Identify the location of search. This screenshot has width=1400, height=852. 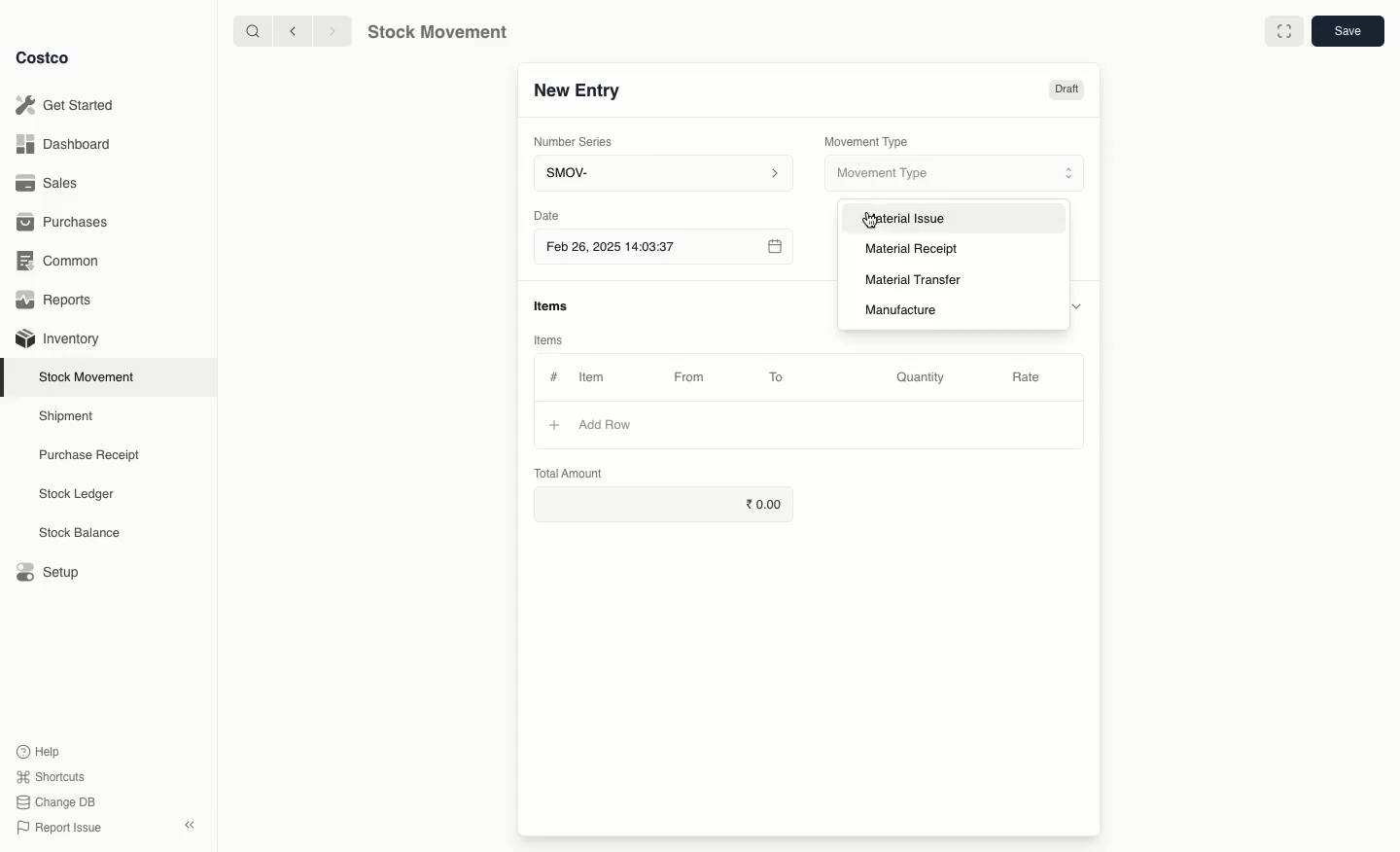
(255, 32).